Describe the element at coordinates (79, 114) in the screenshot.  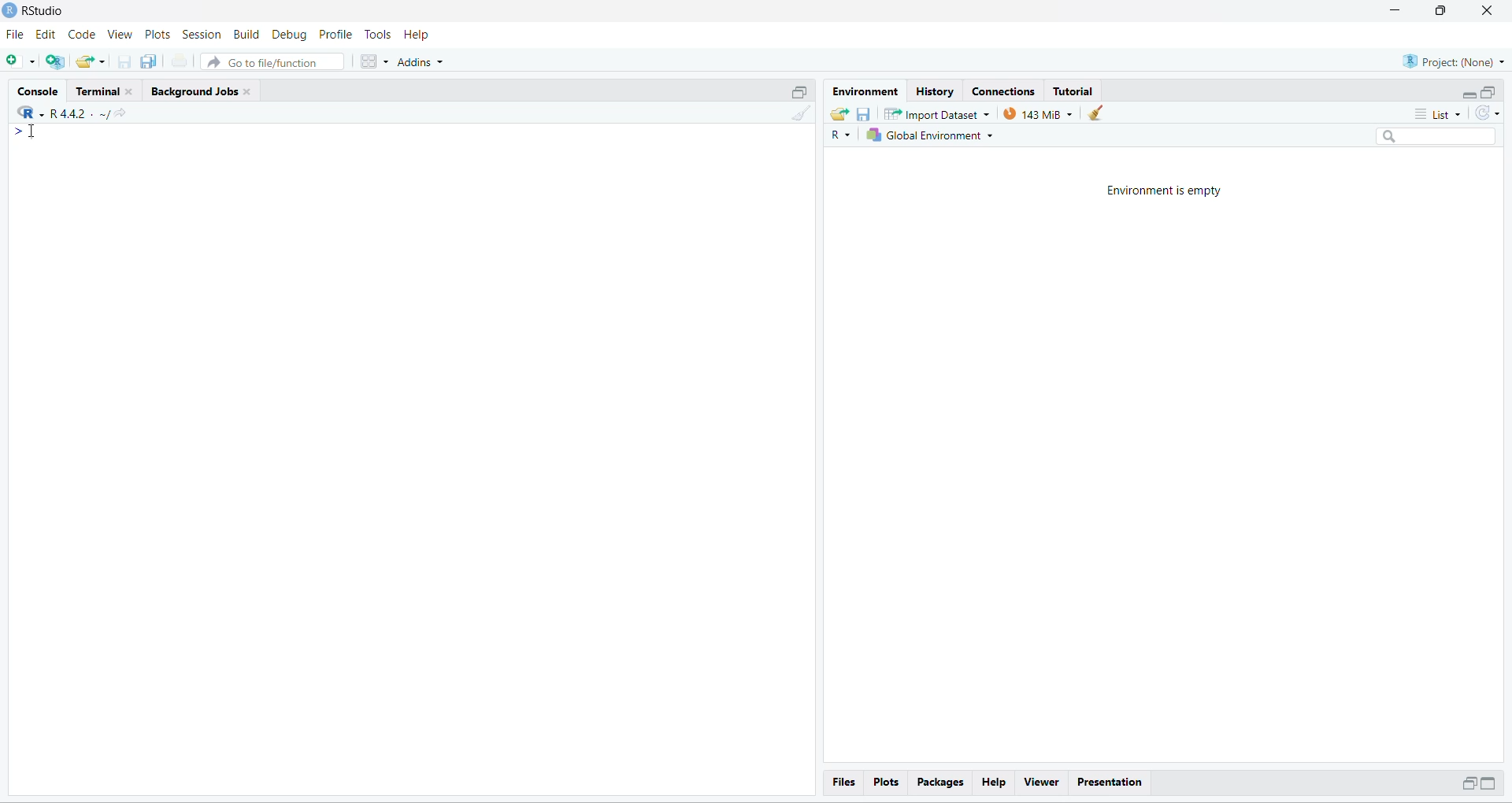
I see `R 4.4.2 ~/` at that location.